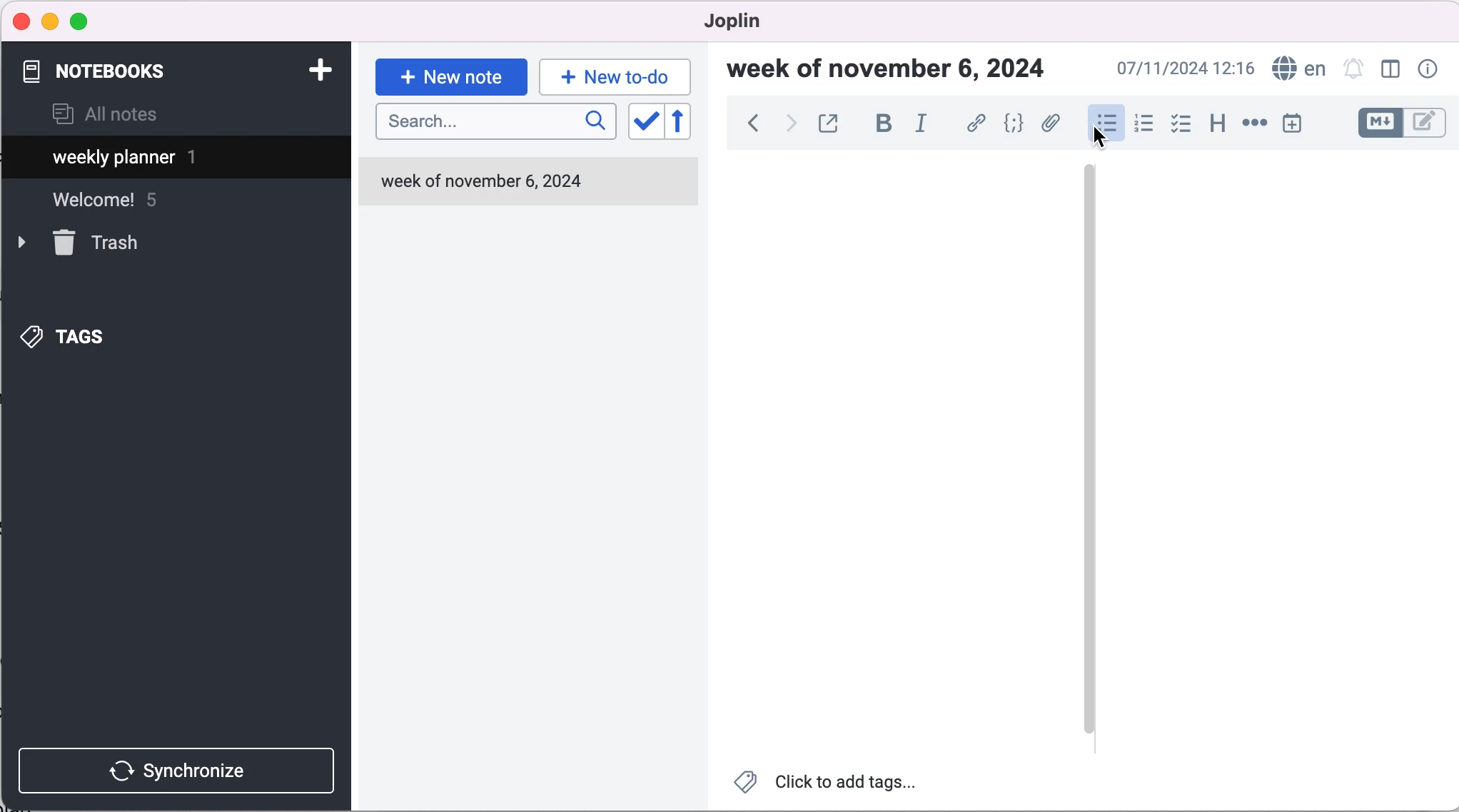 The width and height of the screenshot is (1459, 812). What do you see at coordinates (50, 21) in the screenshot?
I see `minimize` at bounding box center [50, 21].